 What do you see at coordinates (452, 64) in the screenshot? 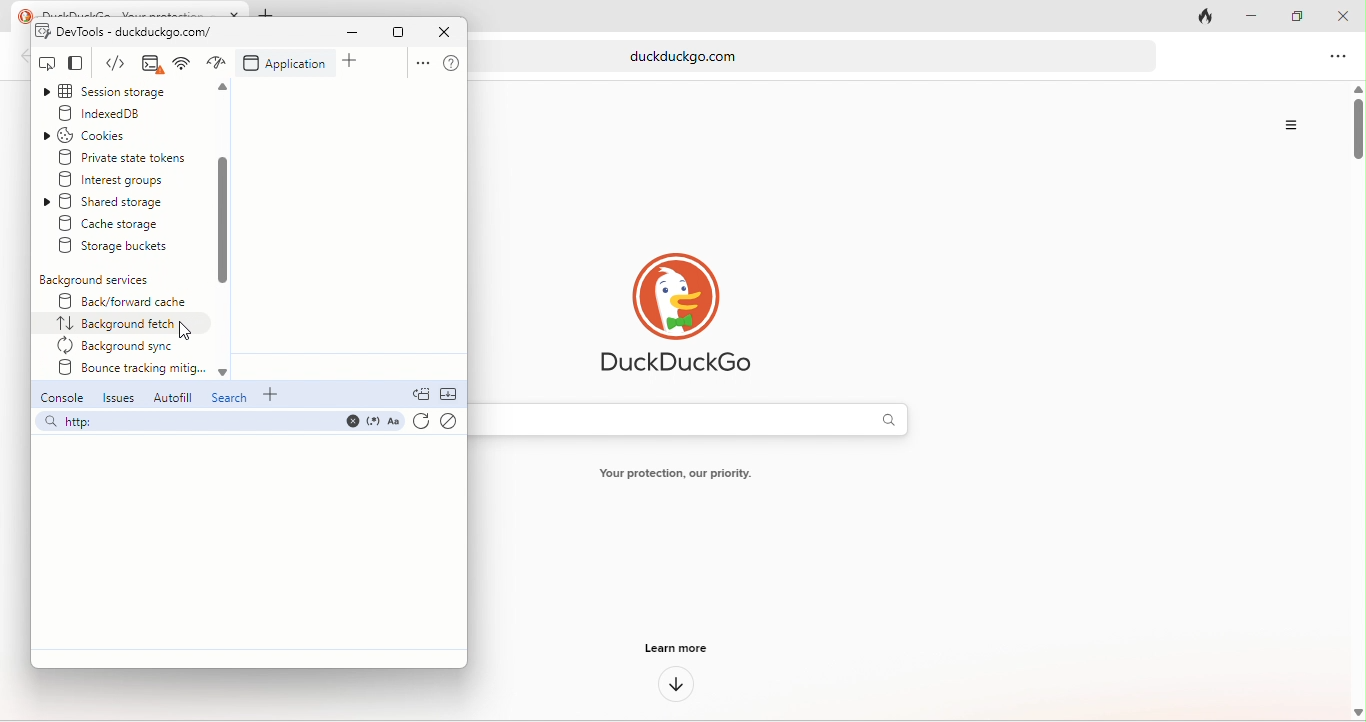
I see `help` at bounding box center [452, 64].